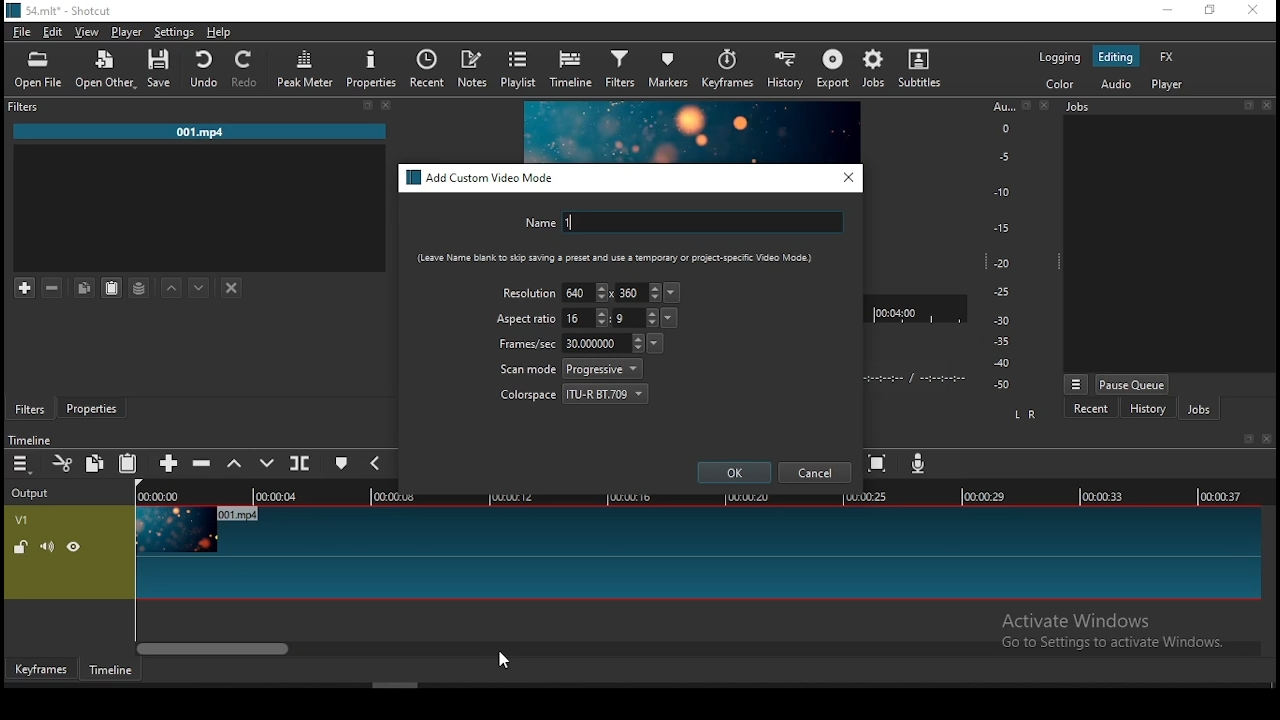  I want to click on restore, so click(1248, 106).